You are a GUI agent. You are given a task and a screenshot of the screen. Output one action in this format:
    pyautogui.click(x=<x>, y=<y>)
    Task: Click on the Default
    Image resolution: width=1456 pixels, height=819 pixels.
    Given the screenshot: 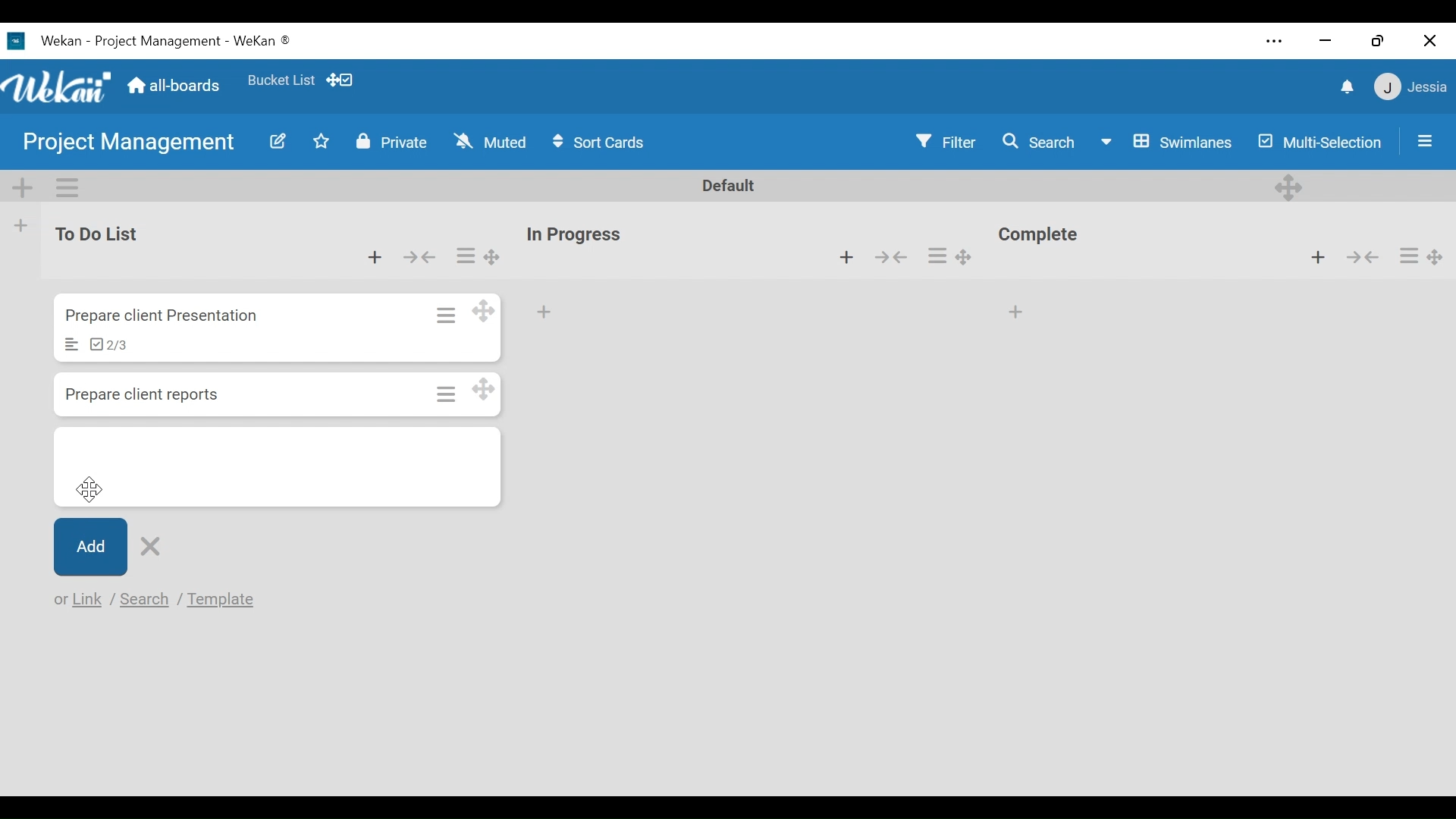 What is the action you would take?
    pyautogui.click(x=730, y=187)
    